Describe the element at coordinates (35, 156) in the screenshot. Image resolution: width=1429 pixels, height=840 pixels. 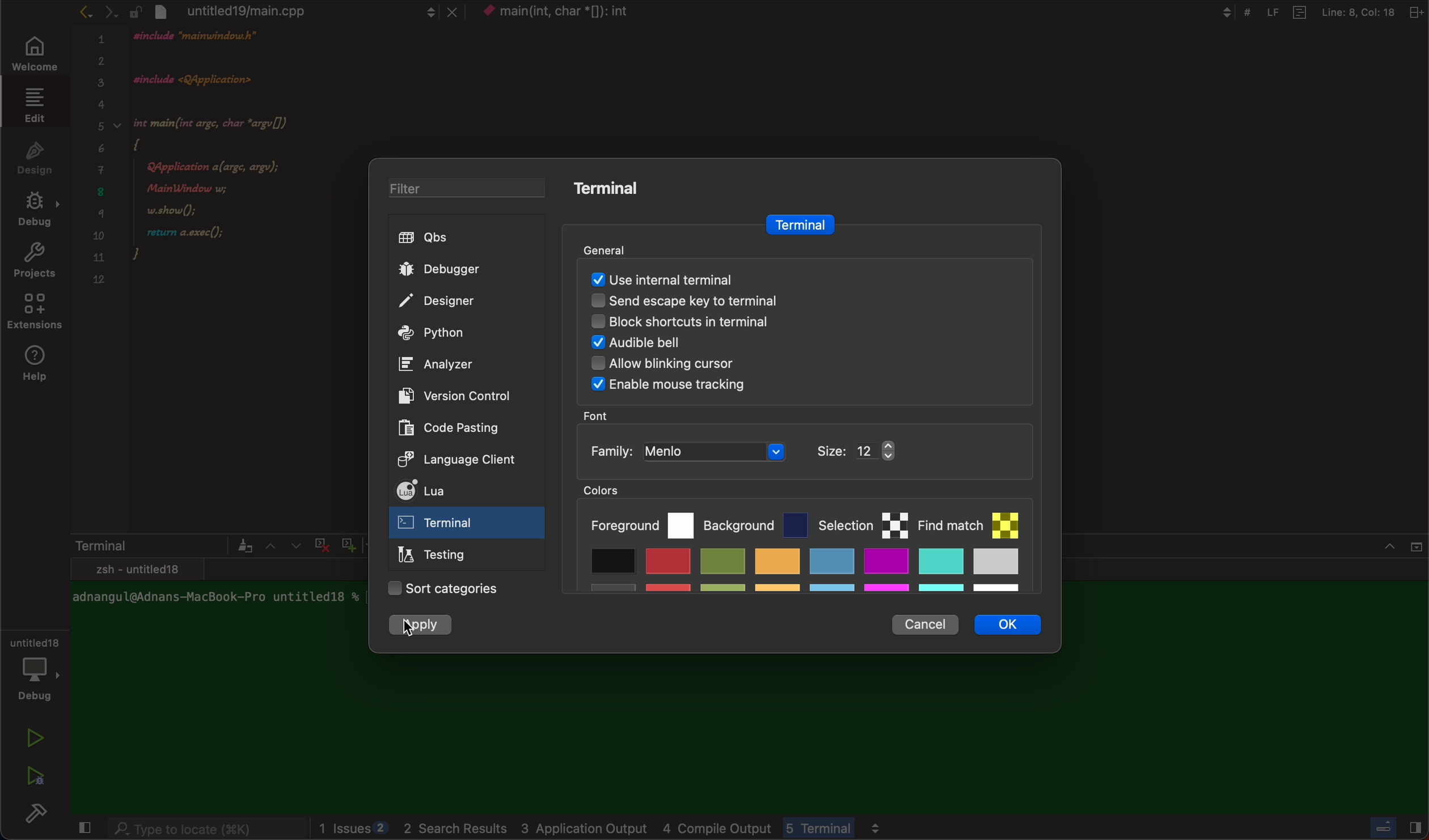
I see `design` at that location.